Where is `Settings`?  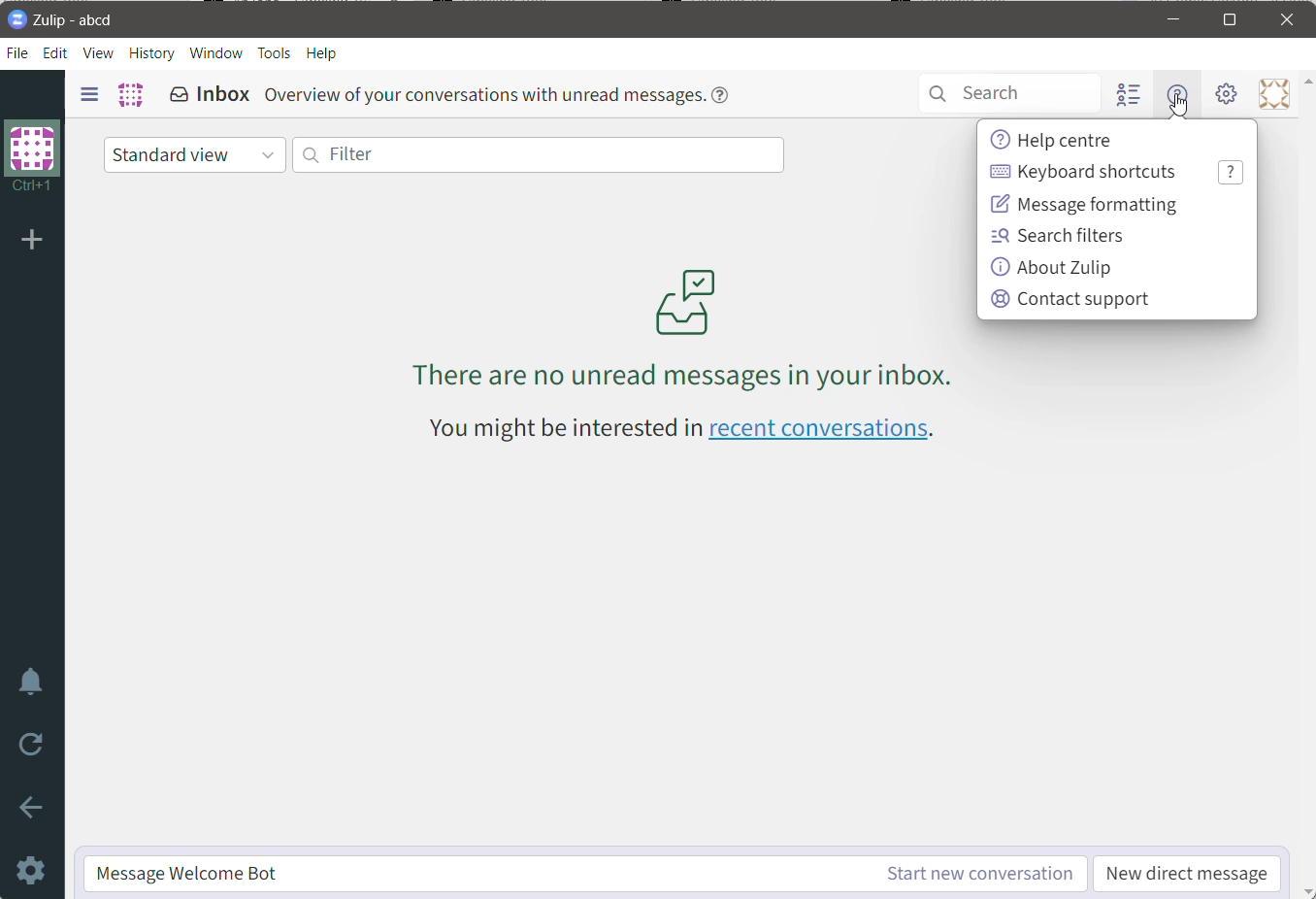 Settings is located at coordinates (33, 873).